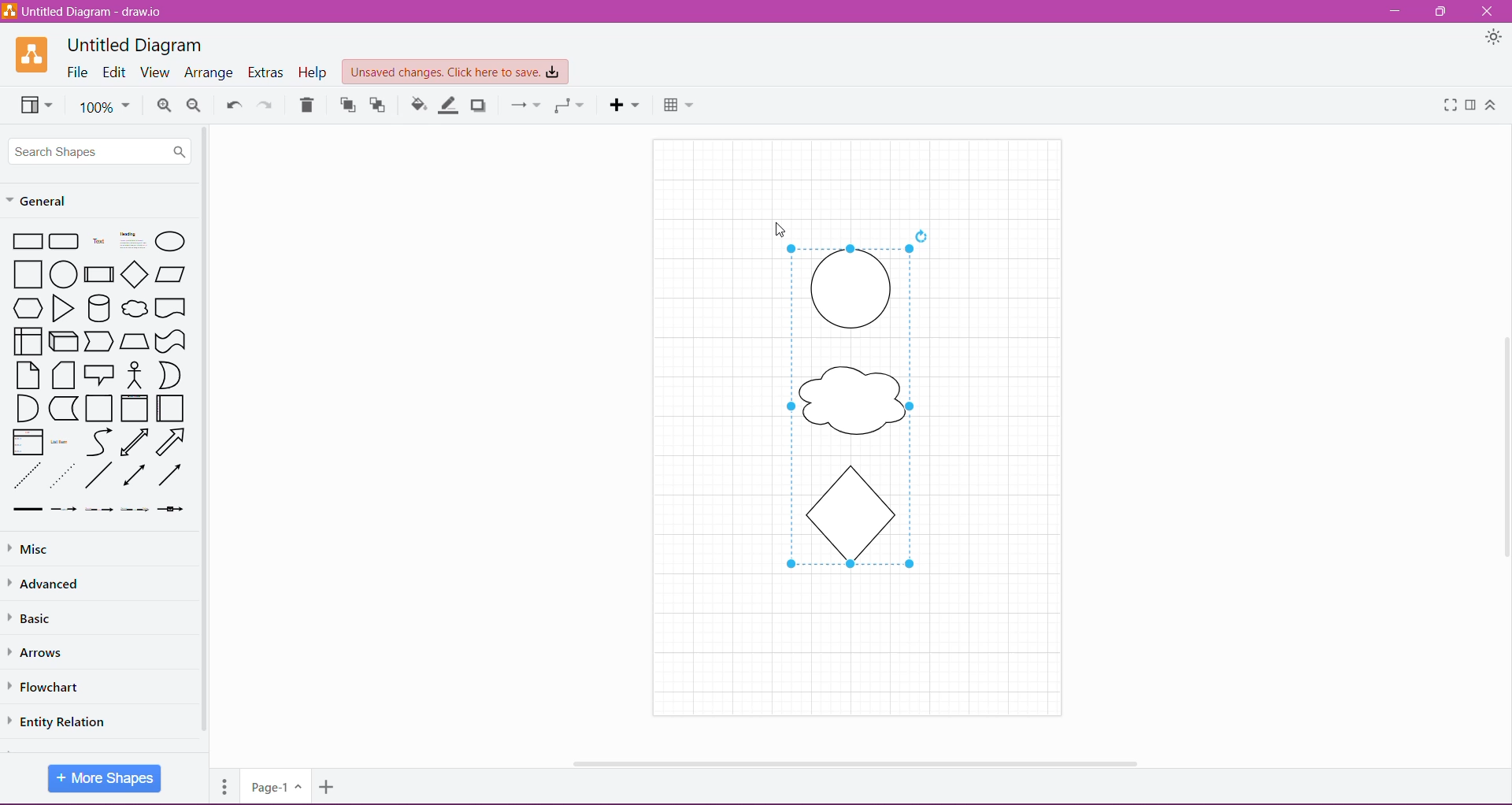 This screenshot has height=805, width=1512. Describe the element at coordinates (678, 103) in the screenshot. I see `Table` at that location.